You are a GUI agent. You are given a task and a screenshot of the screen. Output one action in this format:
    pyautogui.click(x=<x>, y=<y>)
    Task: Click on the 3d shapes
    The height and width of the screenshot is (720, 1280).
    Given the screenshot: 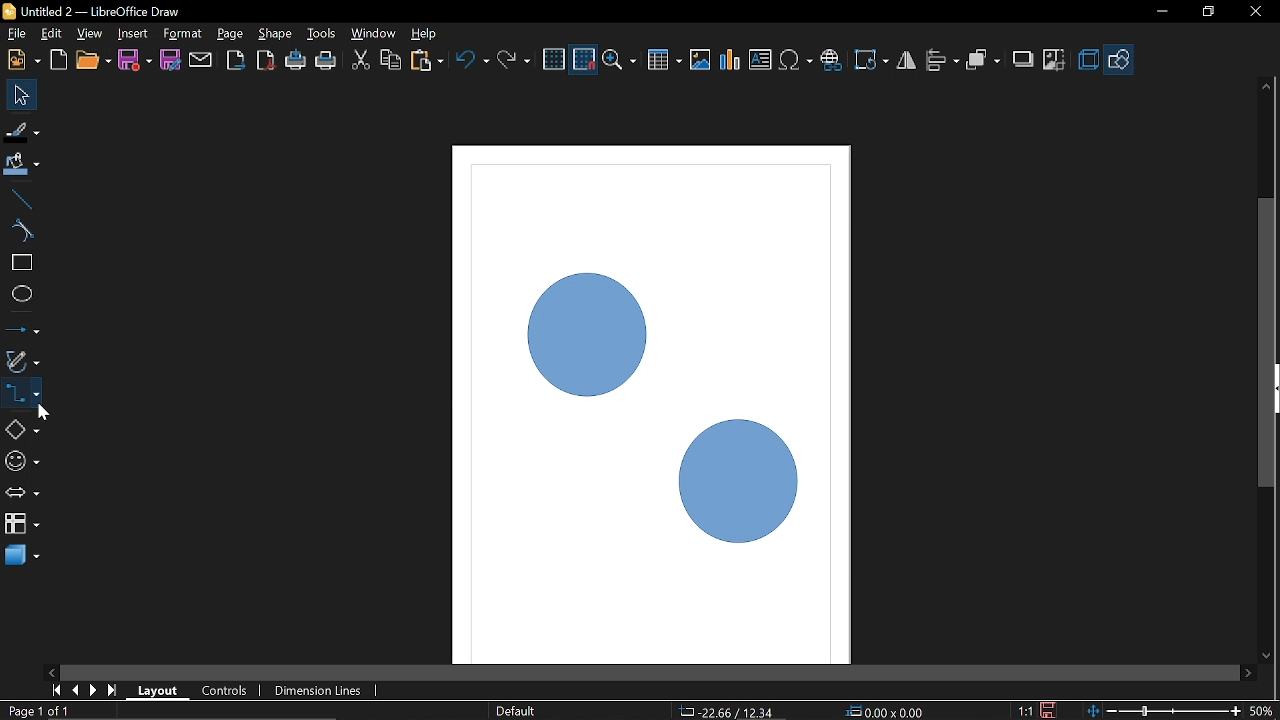 What is the action you would take?
    pyautogui.click(x=21, y=557)
    